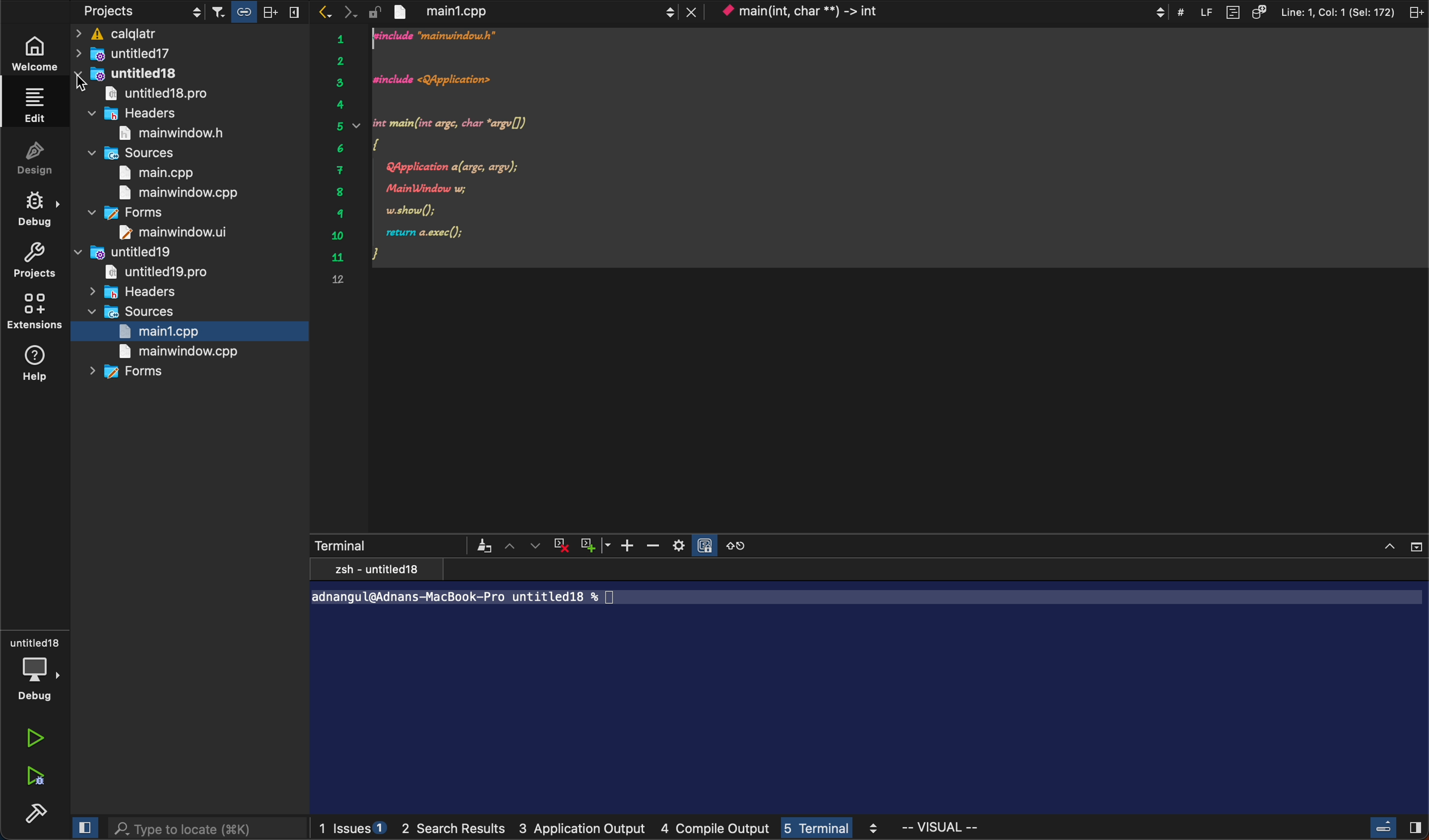  Describe the element at coordinates (126, 212) in the screenshot. I see `forms` at that location.